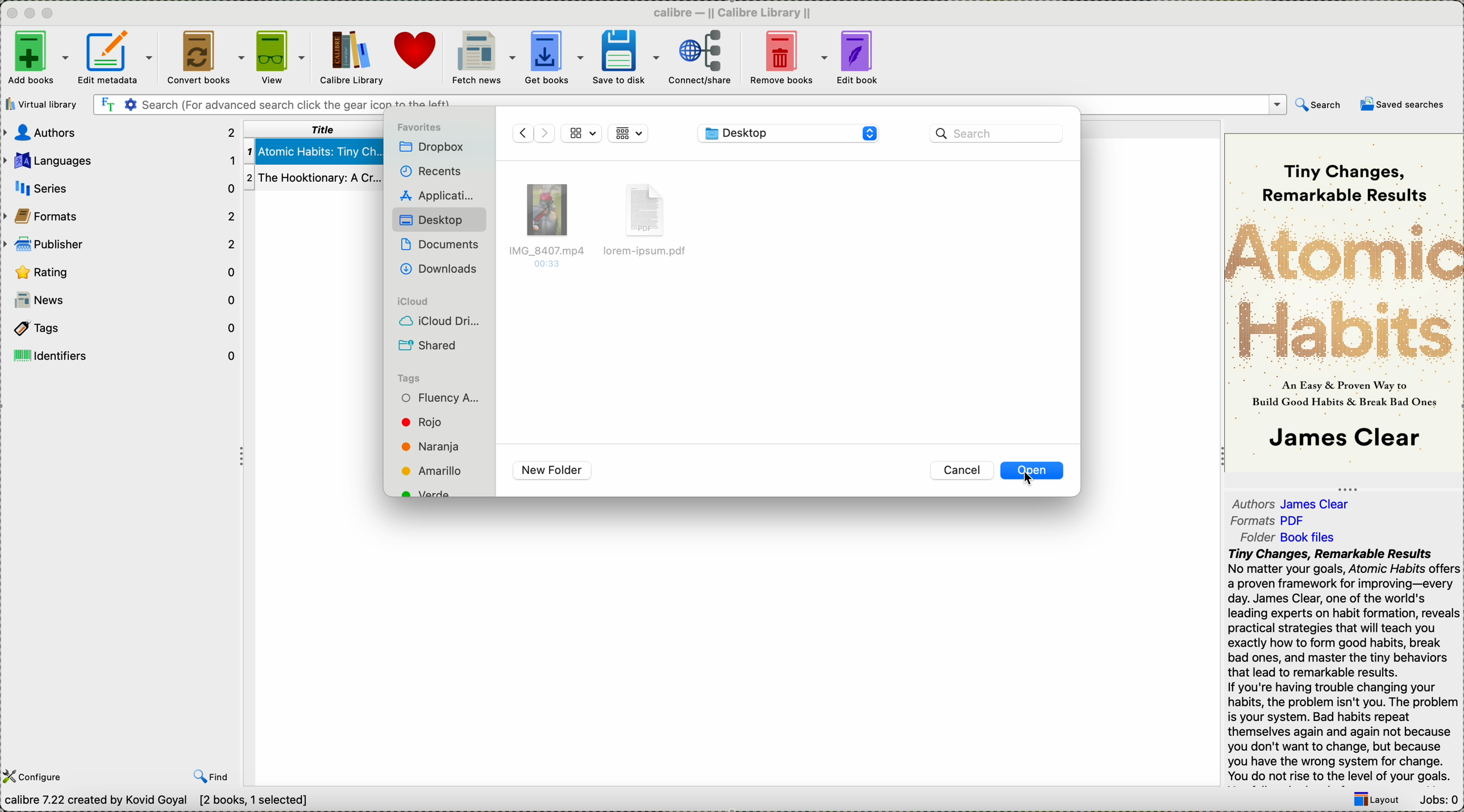 The height and width of the screenshot is (812, 1464). Describe the element at coordinates (688, 105) in the screenshot. I see `search bar` at that location.